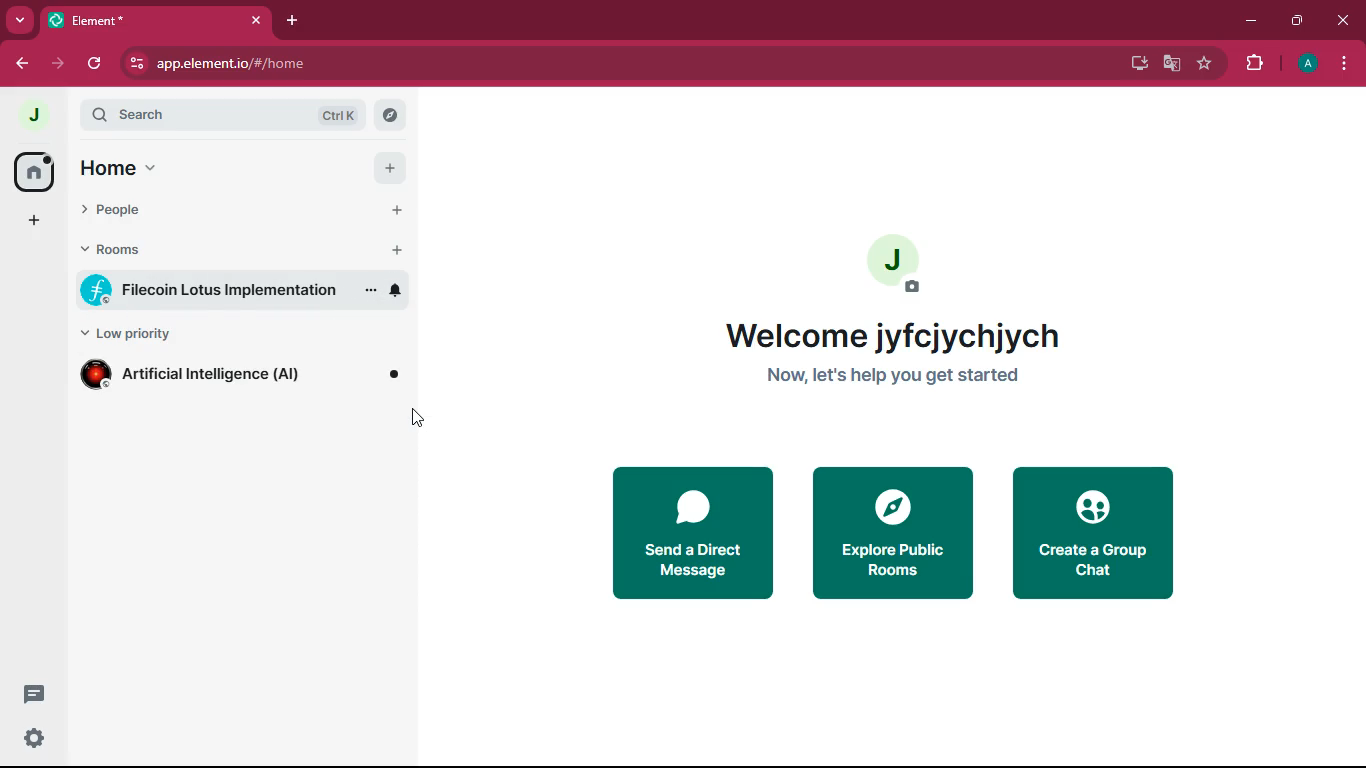 The image size is (1366, 768). Describe the element at coordinates (129, 250) in the screenshot. I see `rooms` at that location.